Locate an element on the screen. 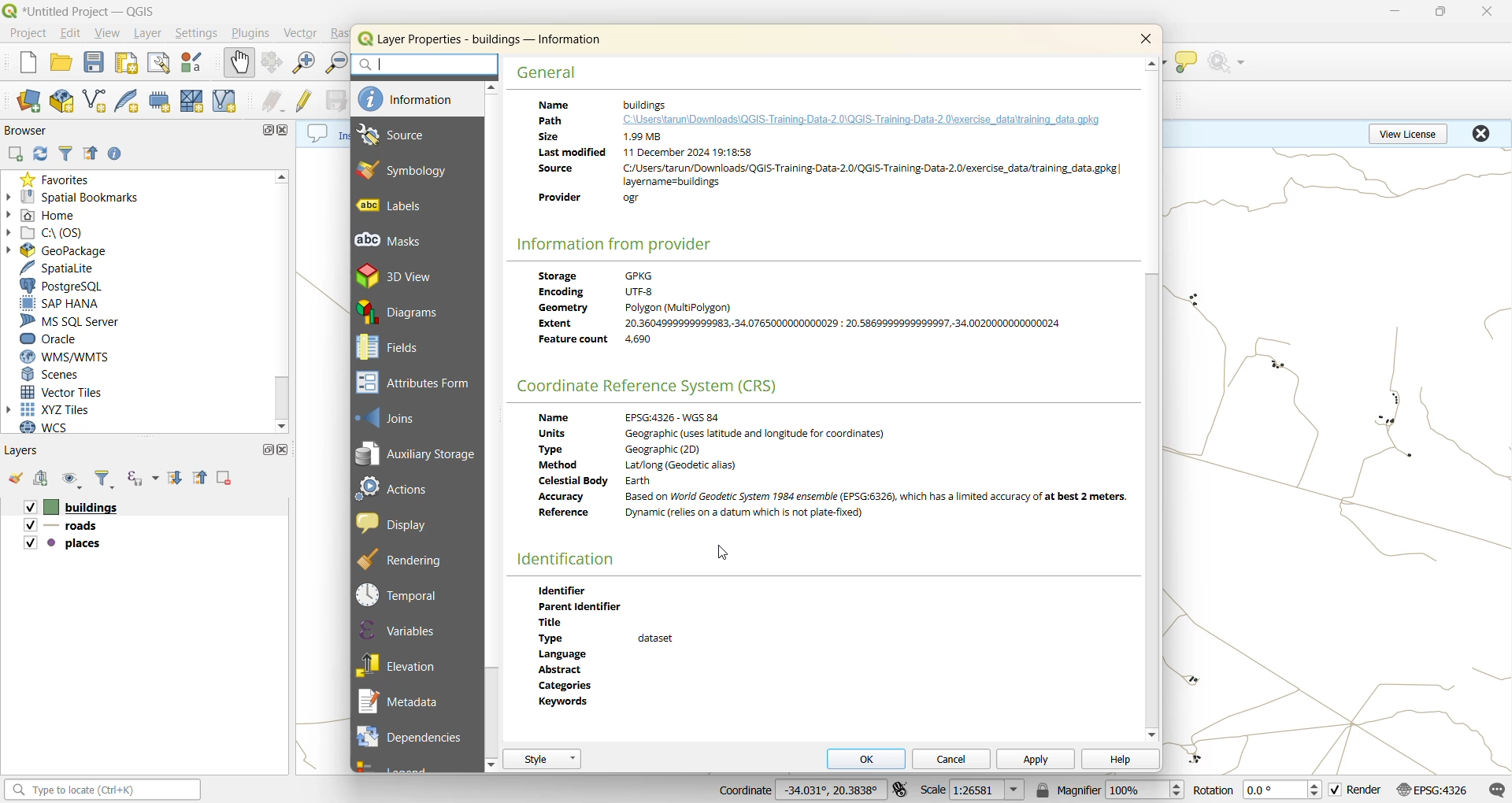 The width and height of the screenshot is (1512, 803). show tips is located at coordinates (1187, 63).